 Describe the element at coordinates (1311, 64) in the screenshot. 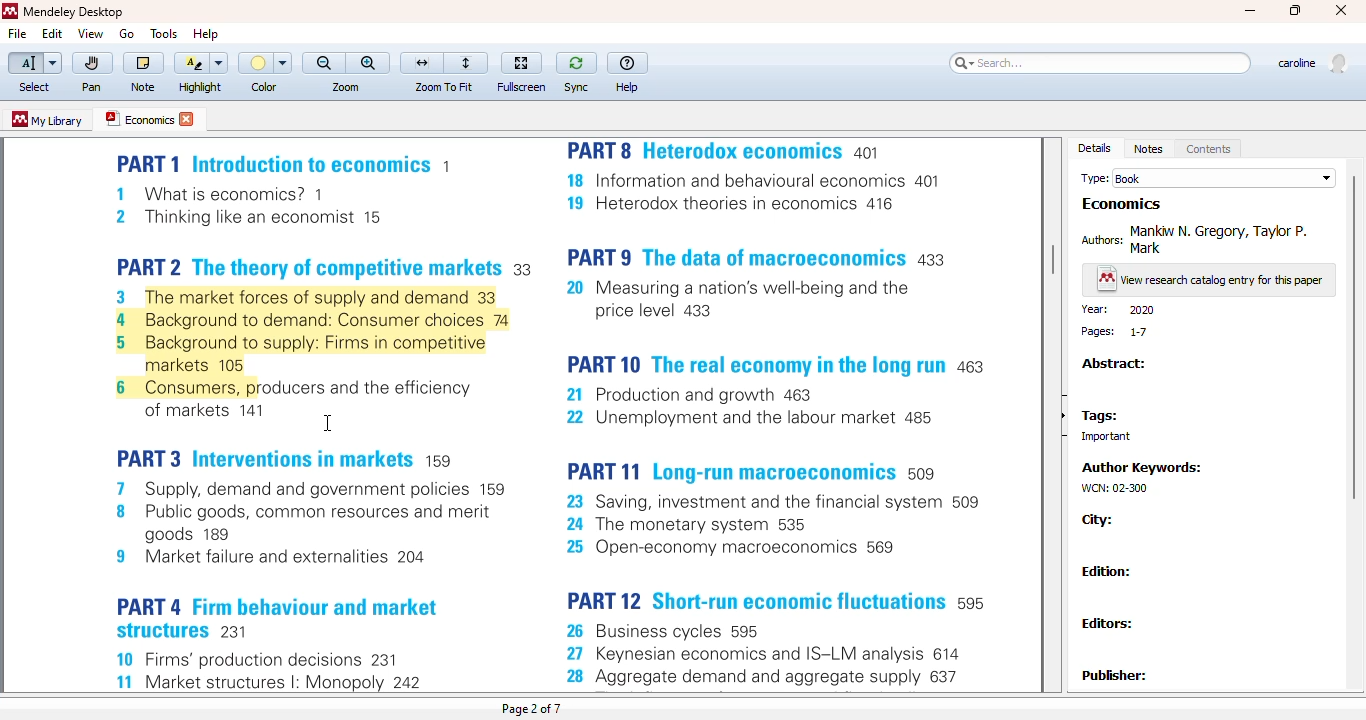

I see `profile` at that location.